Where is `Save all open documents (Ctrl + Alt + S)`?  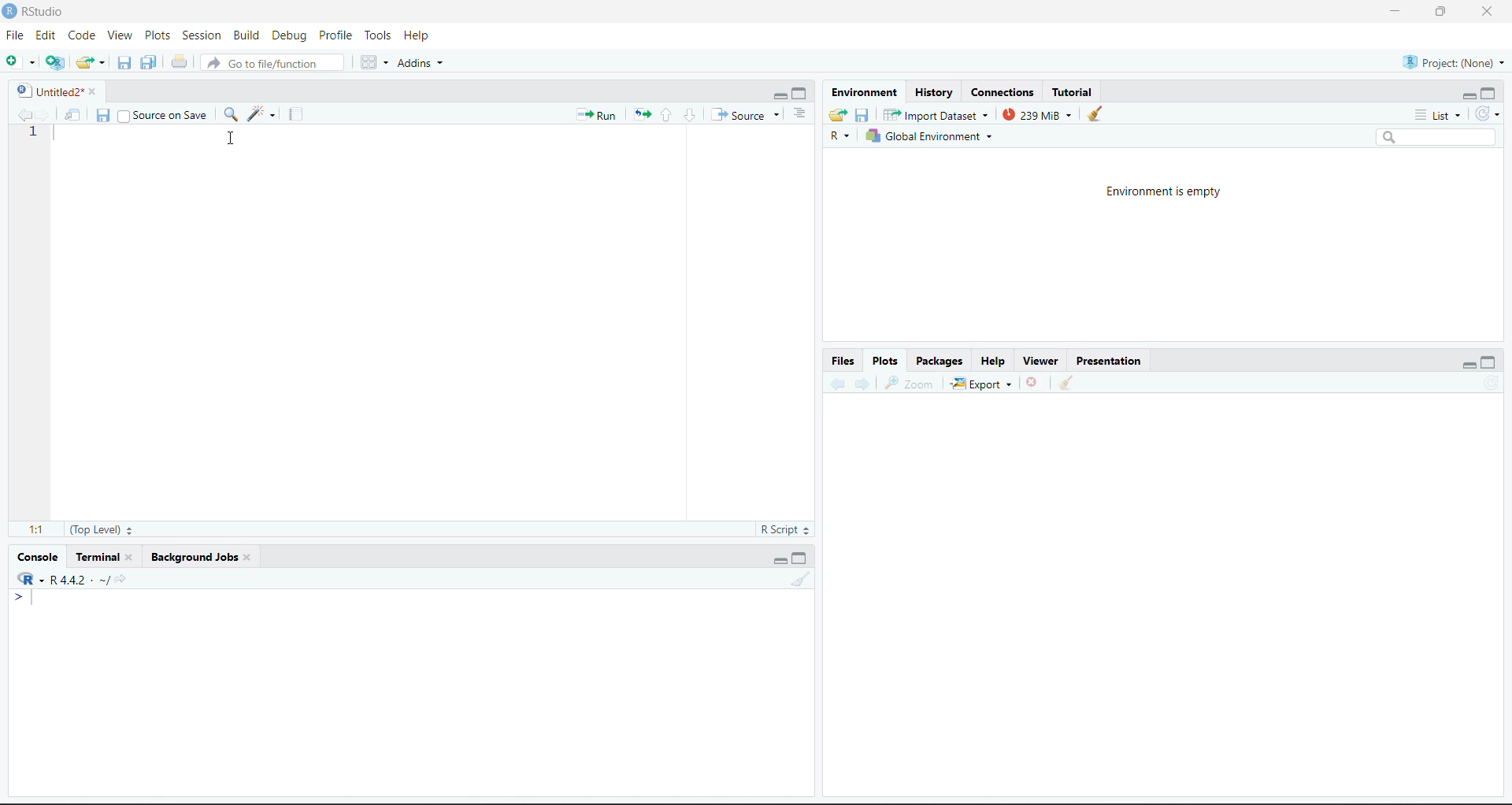 Save all open documents (Ctrl + Alt + S) is located at coordinates (149, 62).